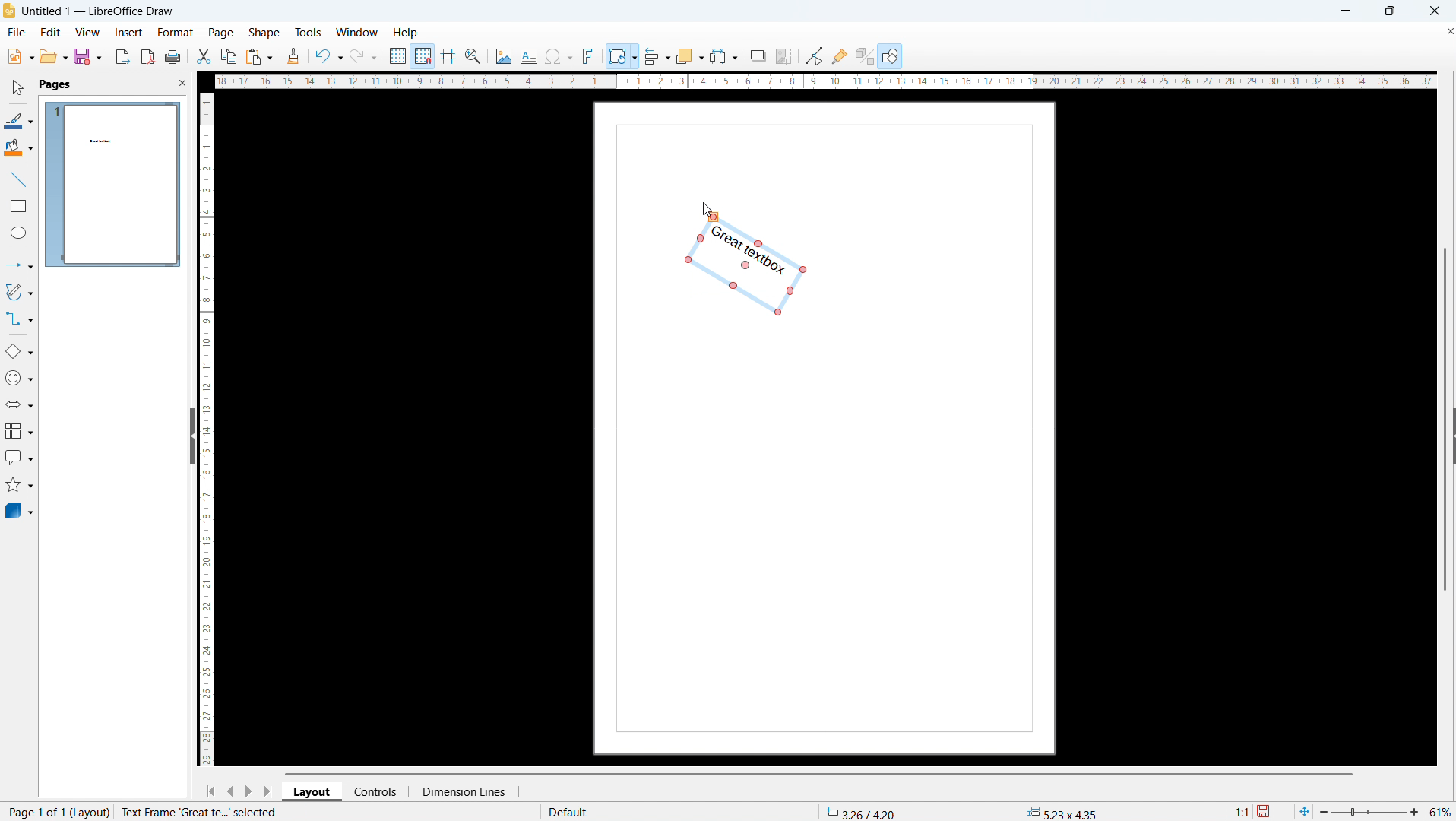  What do you see at coordinates (15, 33) in the screenshot?
I see `file` at bounding box center [15, 33].